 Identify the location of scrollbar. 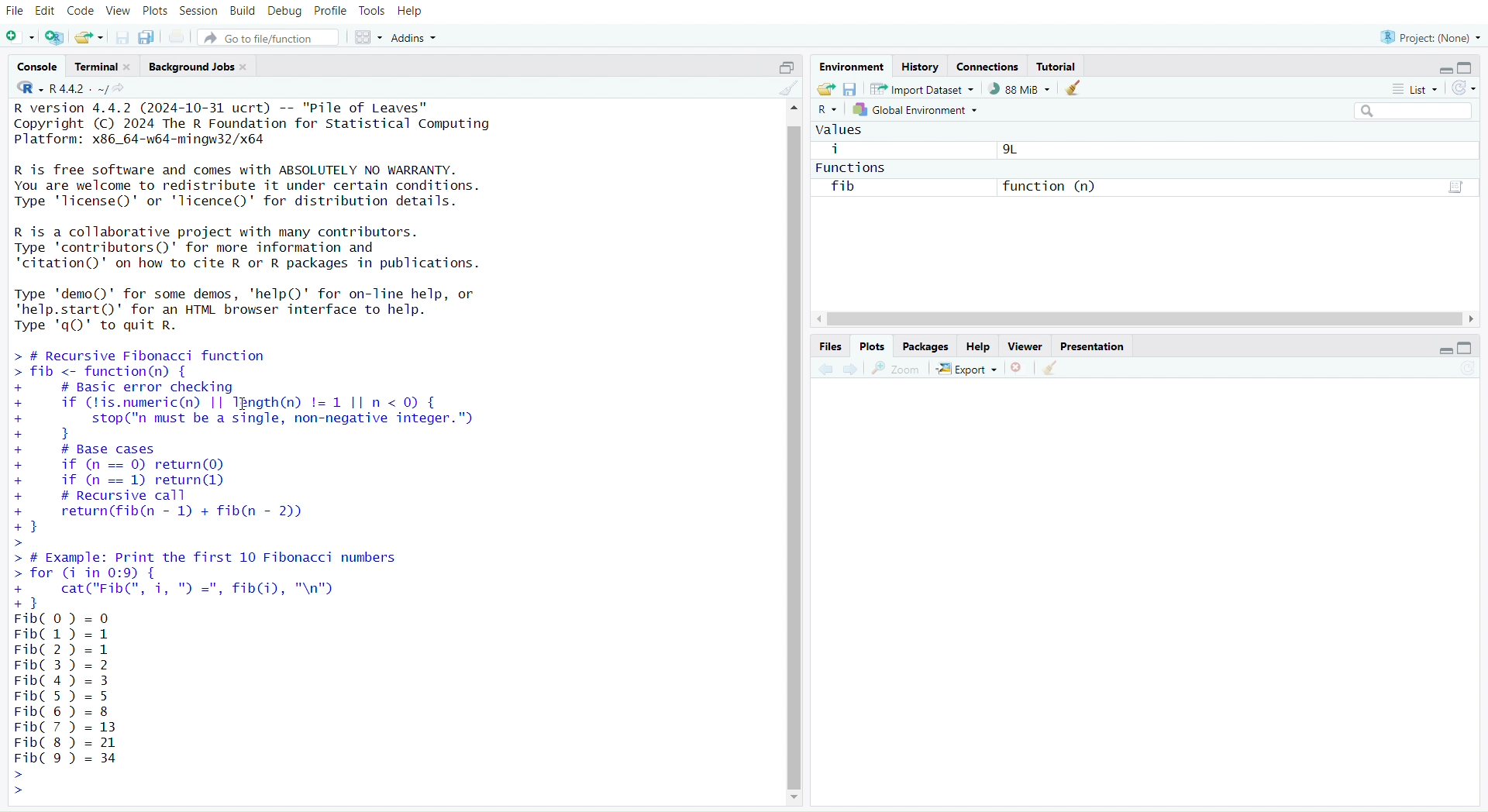
(794, 452).